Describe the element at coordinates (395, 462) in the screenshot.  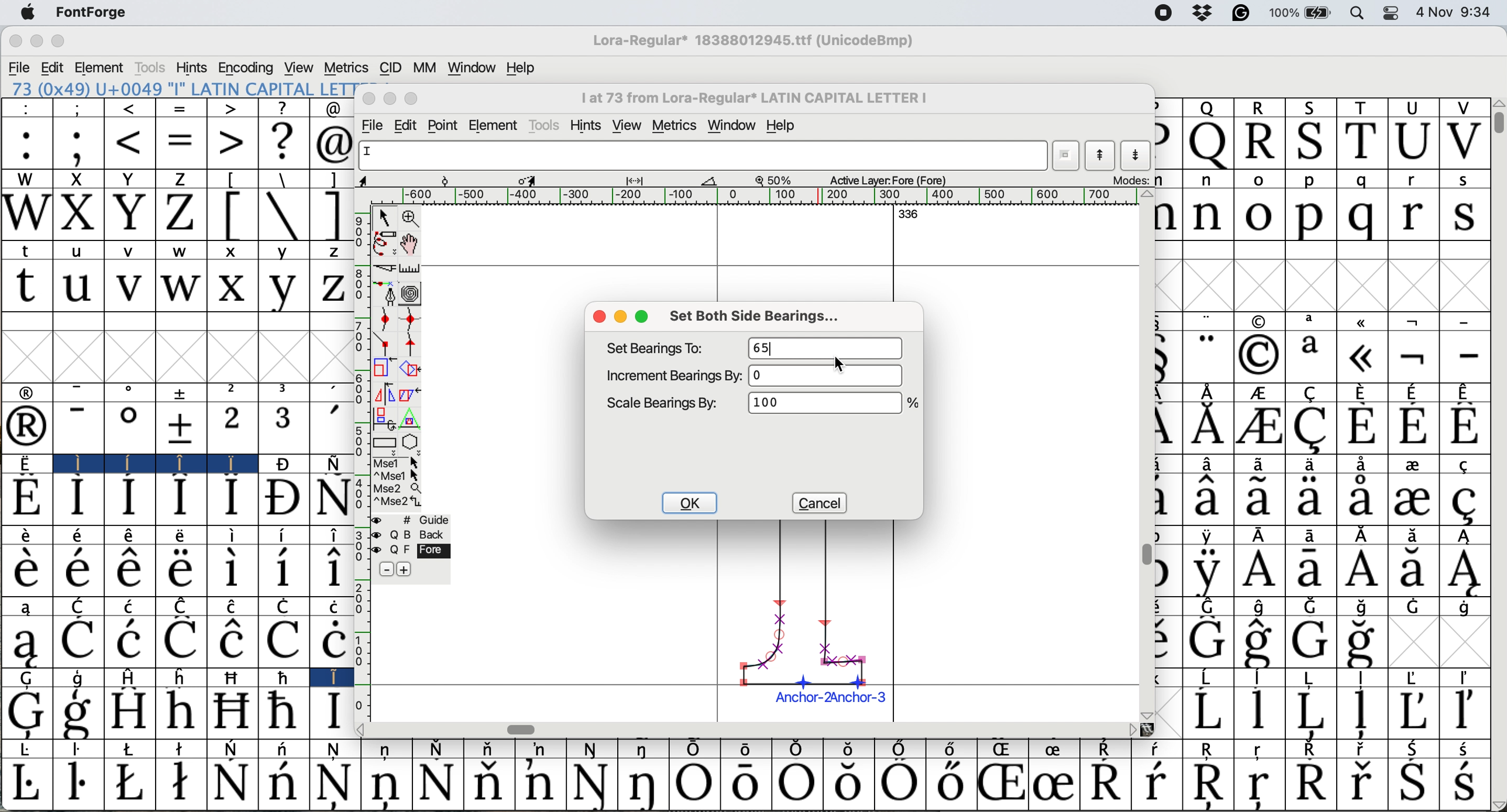
I see `Mse 1` at that location.